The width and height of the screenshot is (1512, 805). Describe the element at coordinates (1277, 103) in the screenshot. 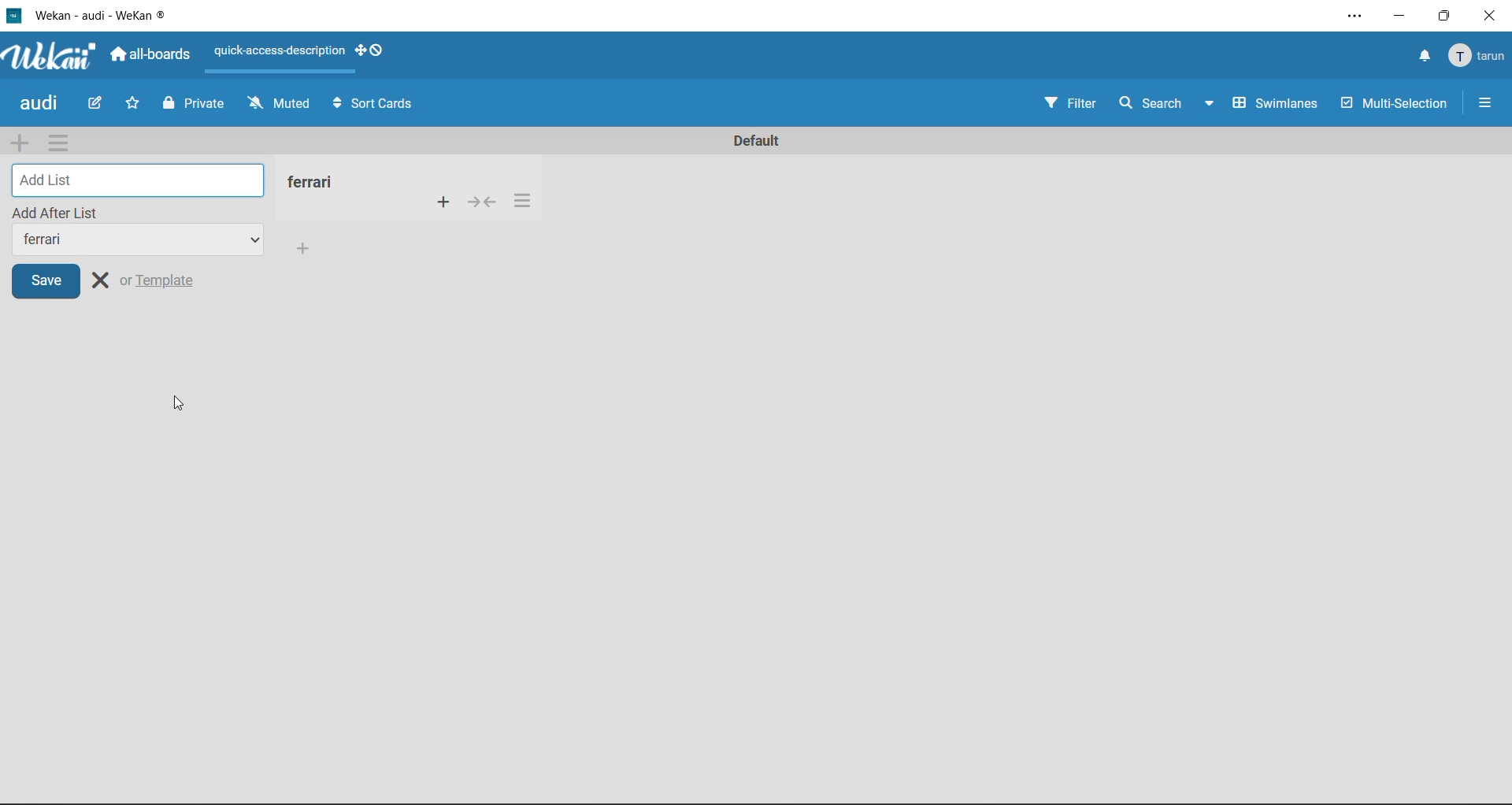

I see `swimlanes` at that location.